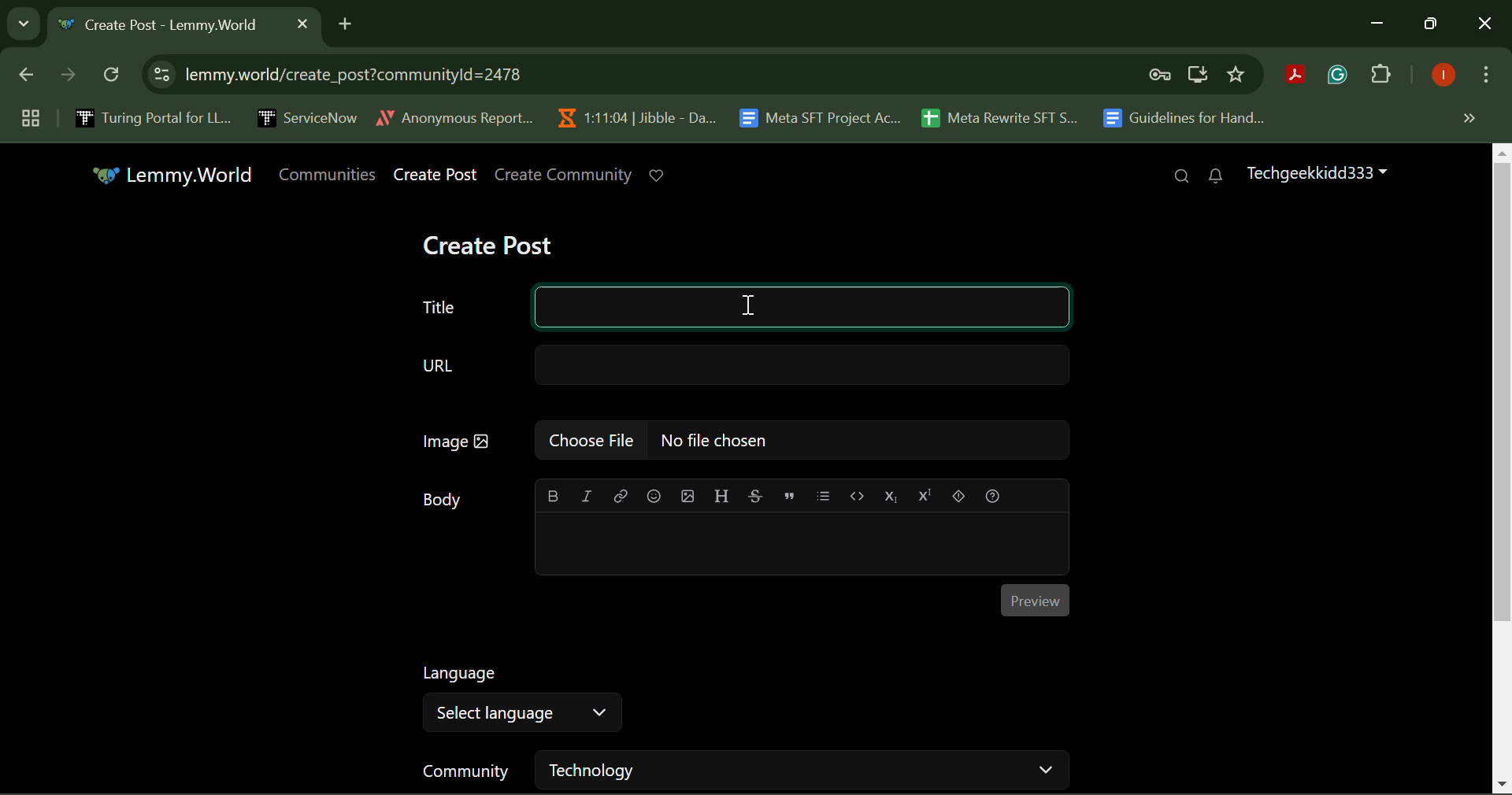  I want to click on Website Address, so click(554, 74).